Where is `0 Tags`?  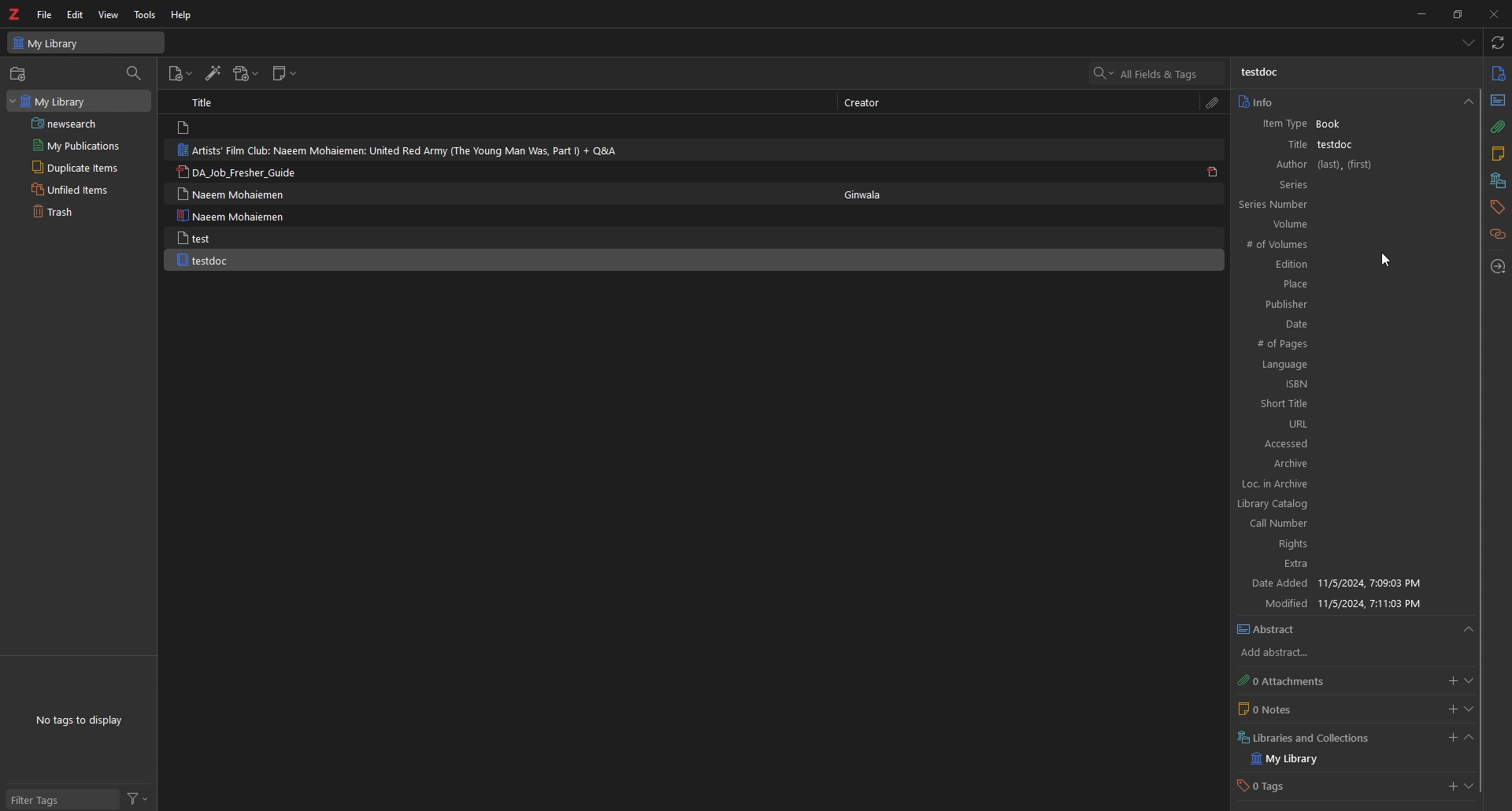
0 Tags is located at coordinates (1274, 786).